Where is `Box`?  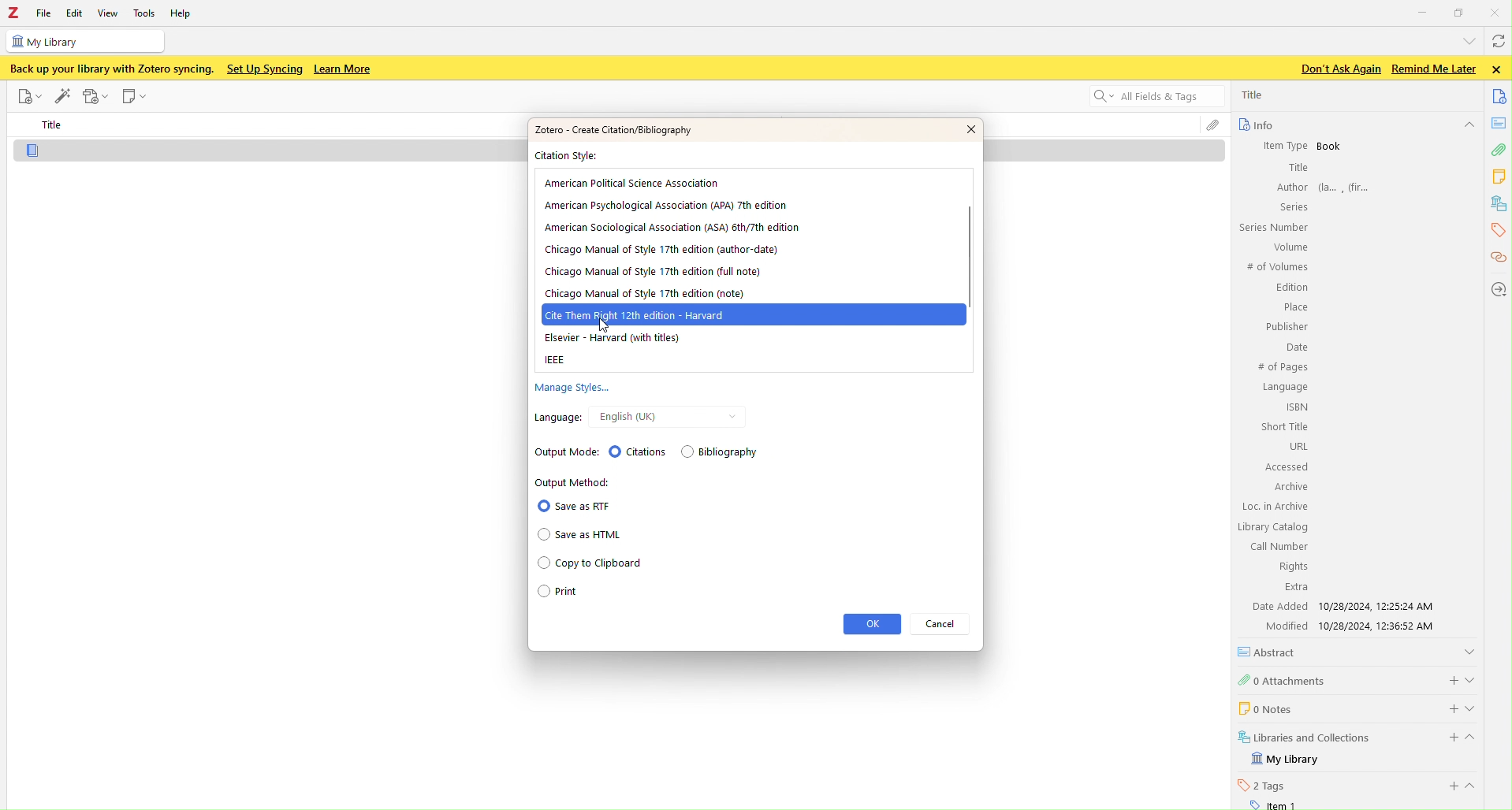
Box is located at coordinates (1460, 13).